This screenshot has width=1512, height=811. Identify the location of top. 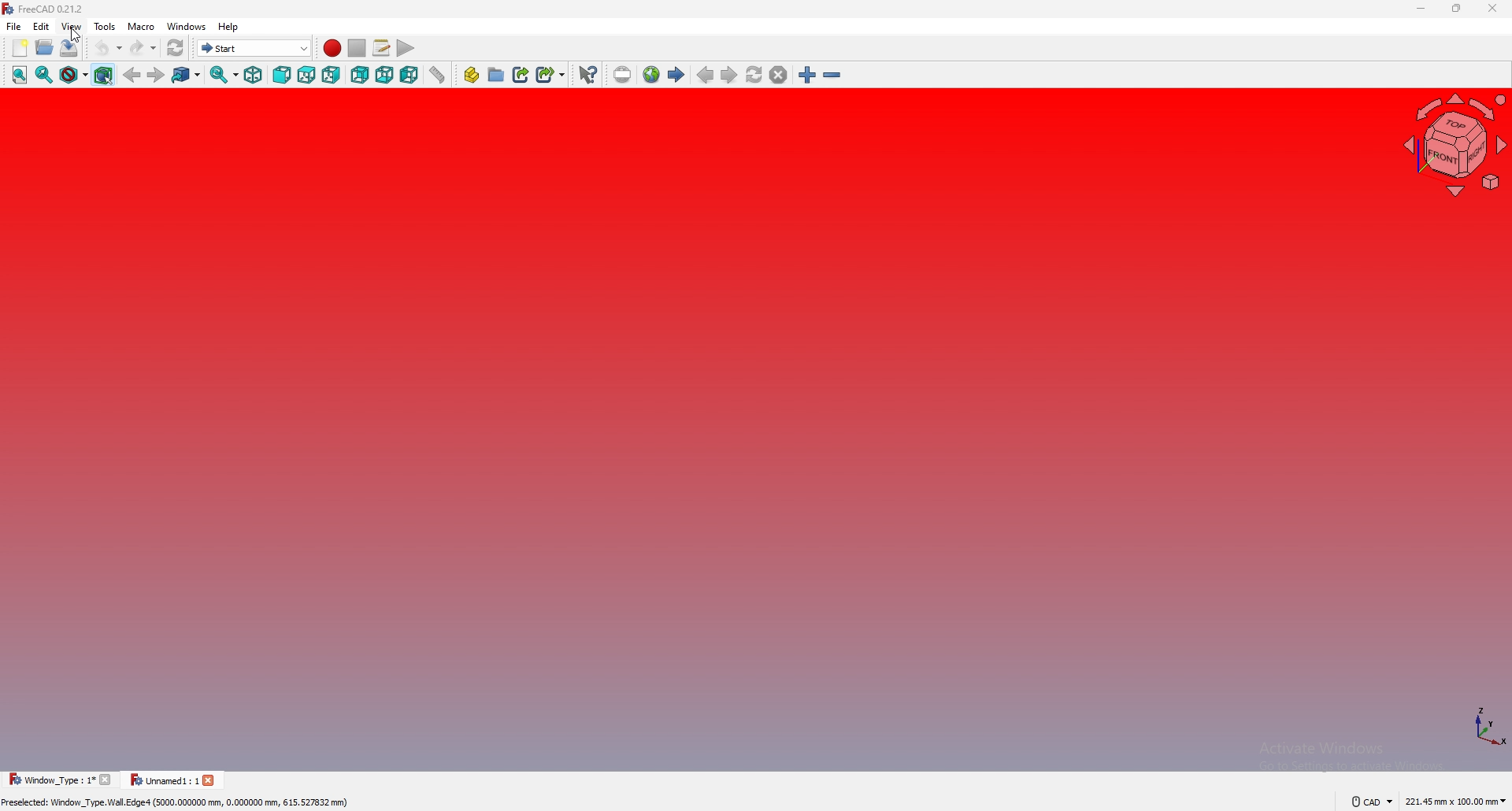
(307, 76).